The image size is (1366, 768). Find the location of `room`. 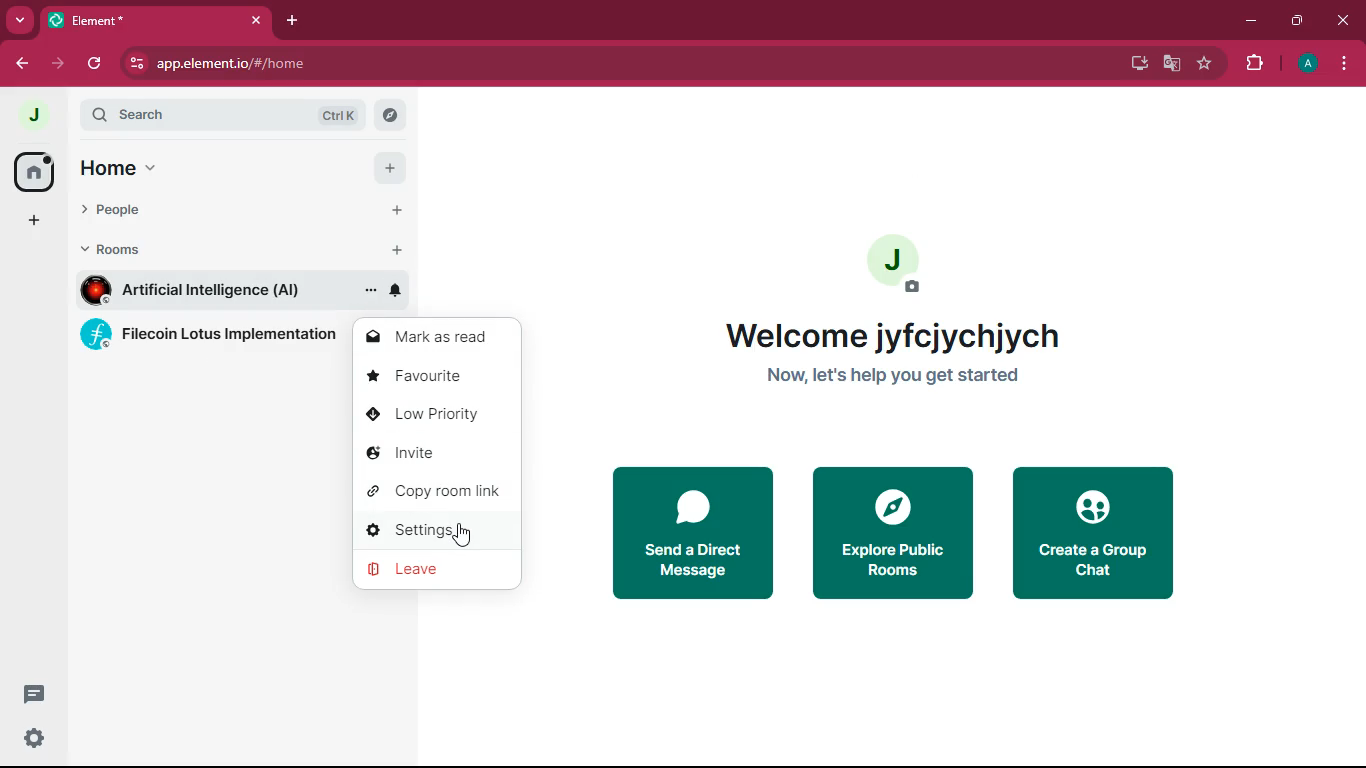

room is located at coordinates (207, 291).